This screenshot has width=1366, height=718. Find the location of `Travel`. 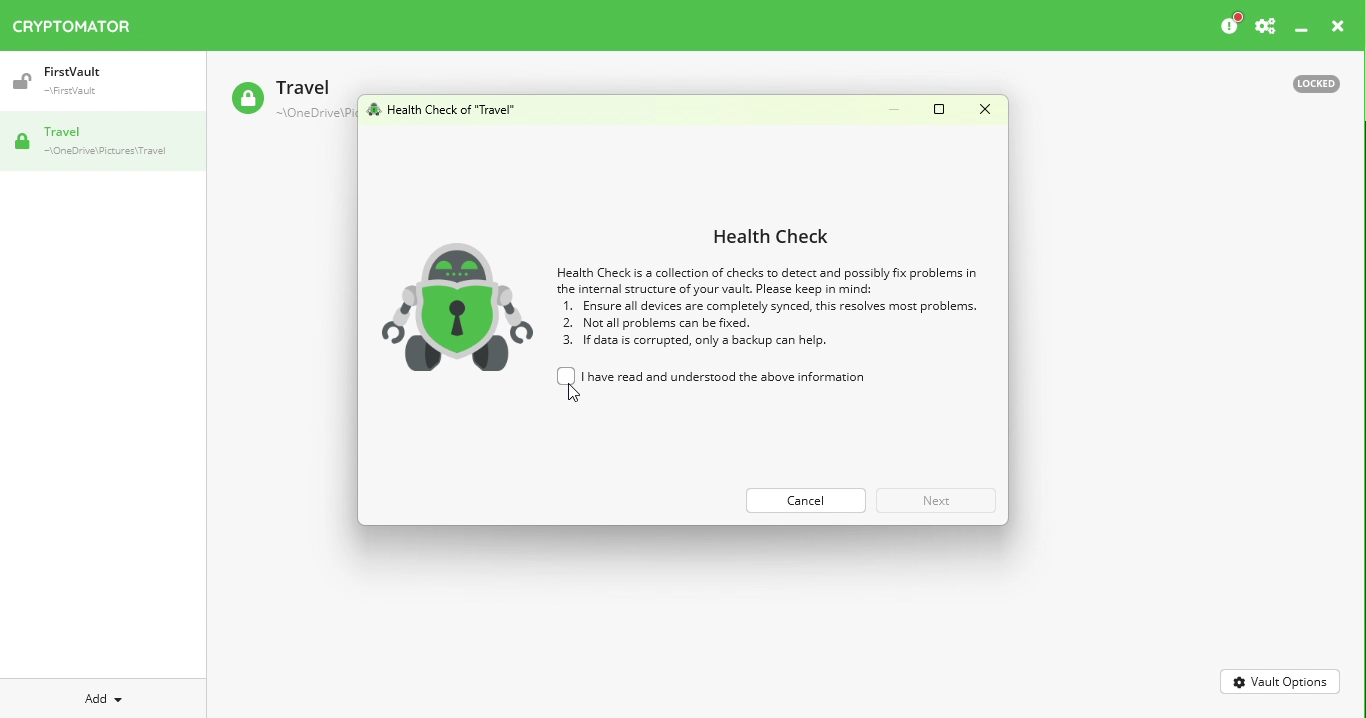

Travel is located at coordinates (289, 101).